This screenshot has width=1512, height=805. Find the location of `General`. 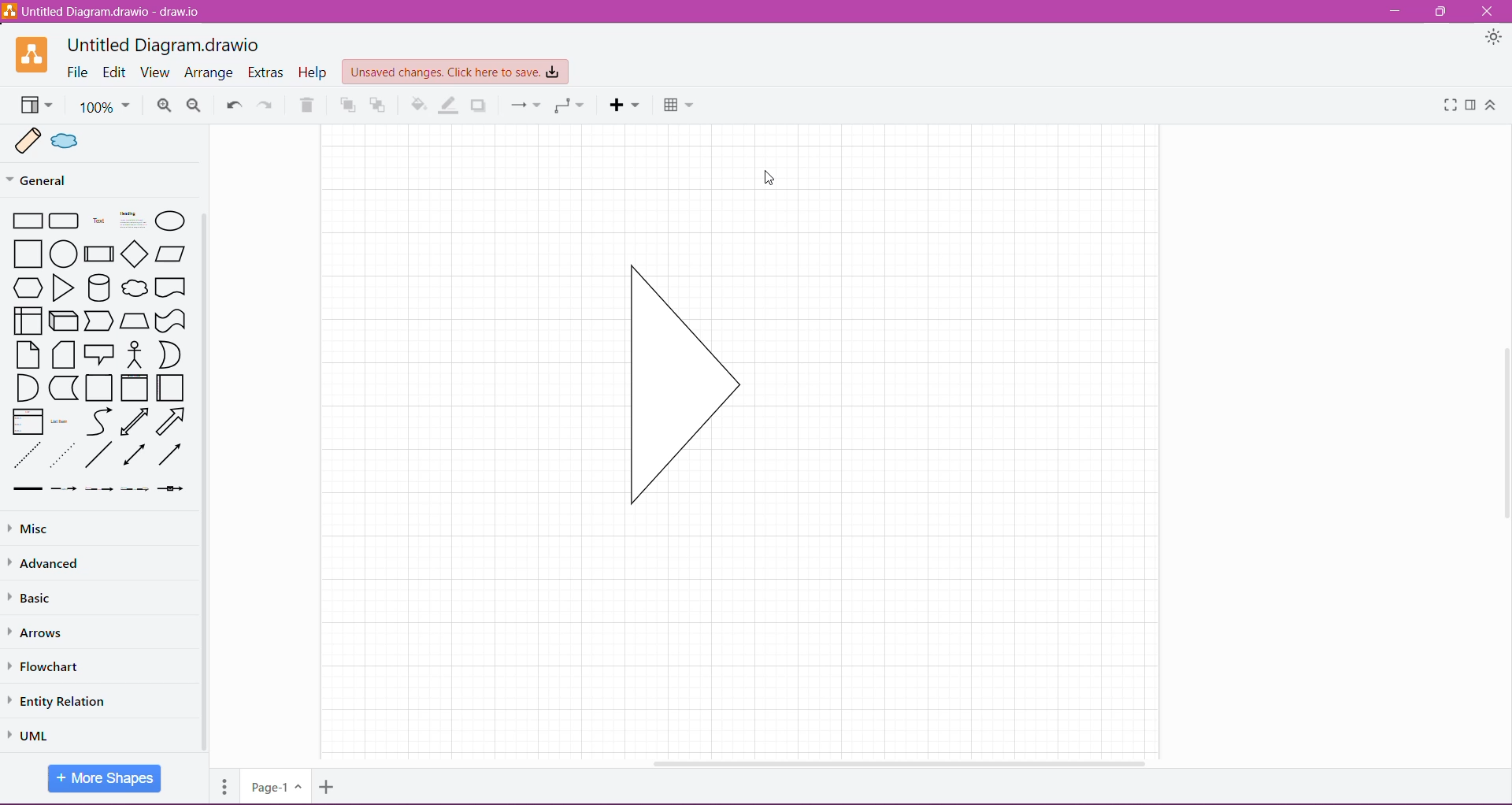

General is located at coordinates (69, 180).